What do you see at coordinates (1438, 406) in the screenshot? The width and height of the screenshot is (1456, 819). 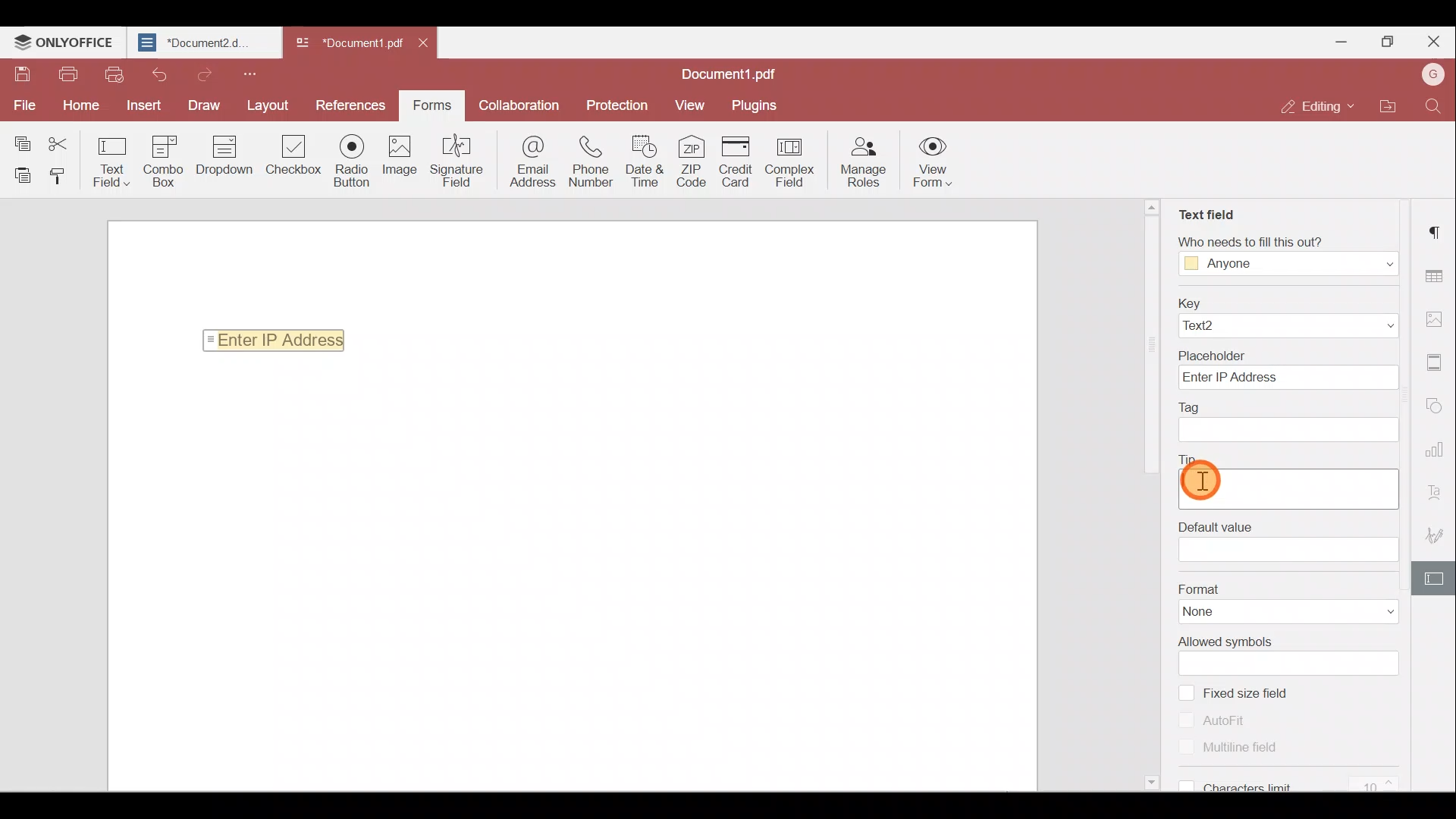 I see `Shapes settings` at bounding box center [1438, 406].